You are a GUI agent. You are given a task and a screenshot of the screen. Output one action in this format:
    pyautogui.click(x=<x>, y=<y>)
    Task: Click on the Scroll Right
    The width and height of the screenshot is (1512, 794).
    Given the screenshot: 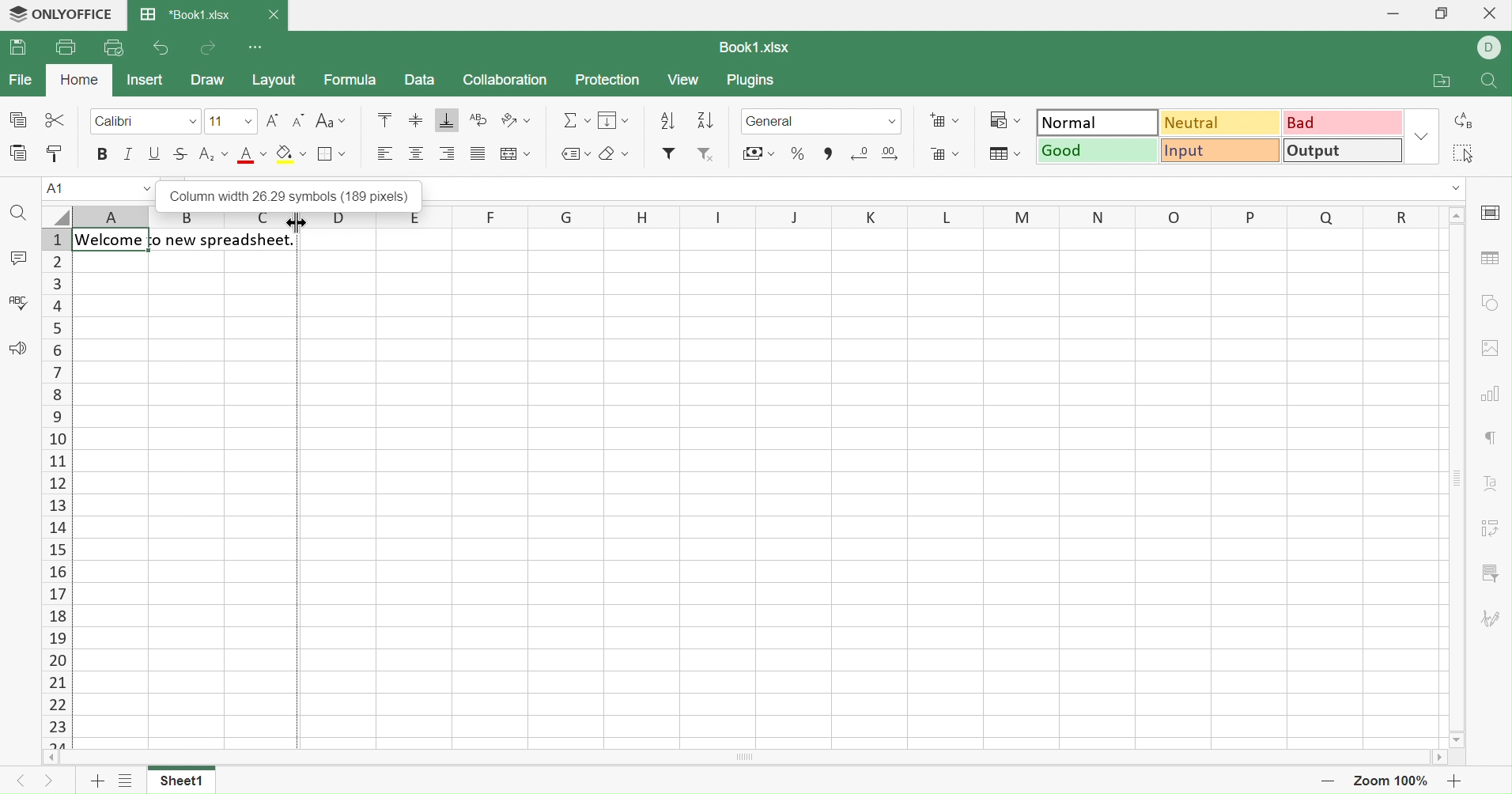 What is the action you would take?
    pyautogui.click(x=1443, y=758)
    